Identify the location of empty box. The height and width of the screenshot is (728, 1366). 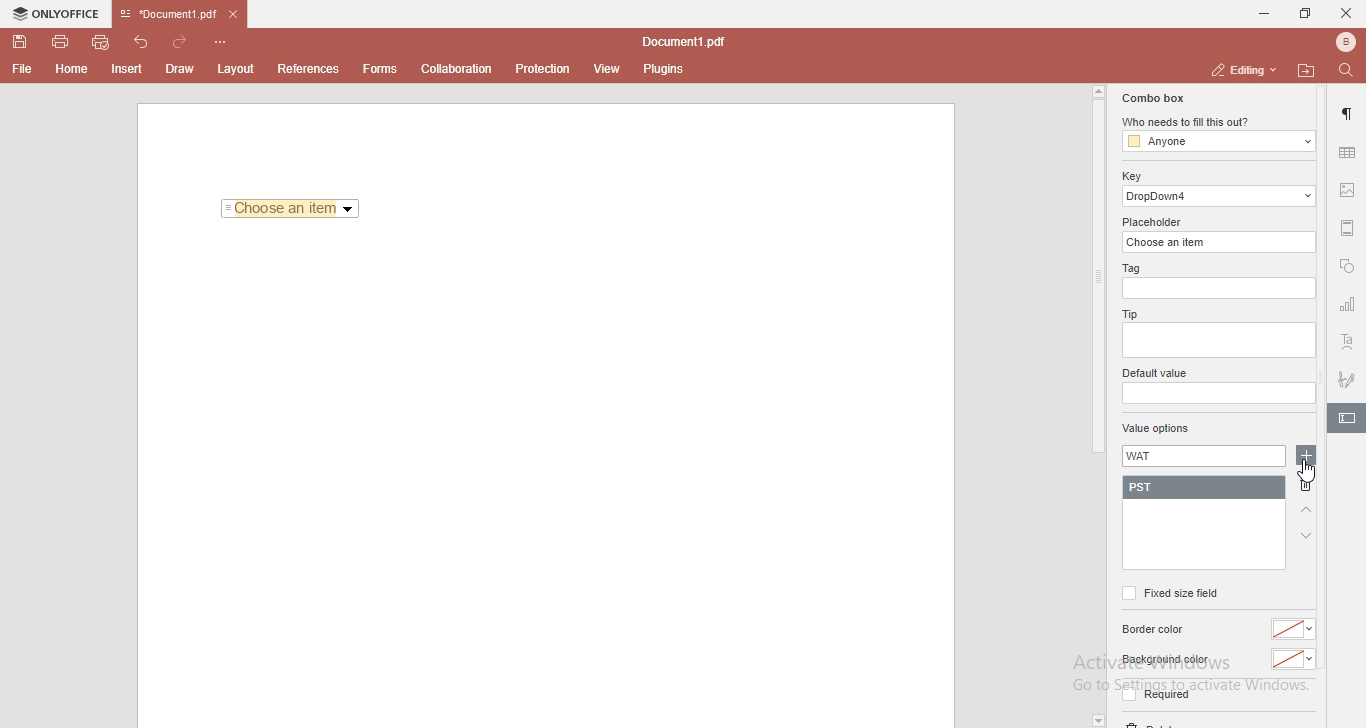
(1217, 394).